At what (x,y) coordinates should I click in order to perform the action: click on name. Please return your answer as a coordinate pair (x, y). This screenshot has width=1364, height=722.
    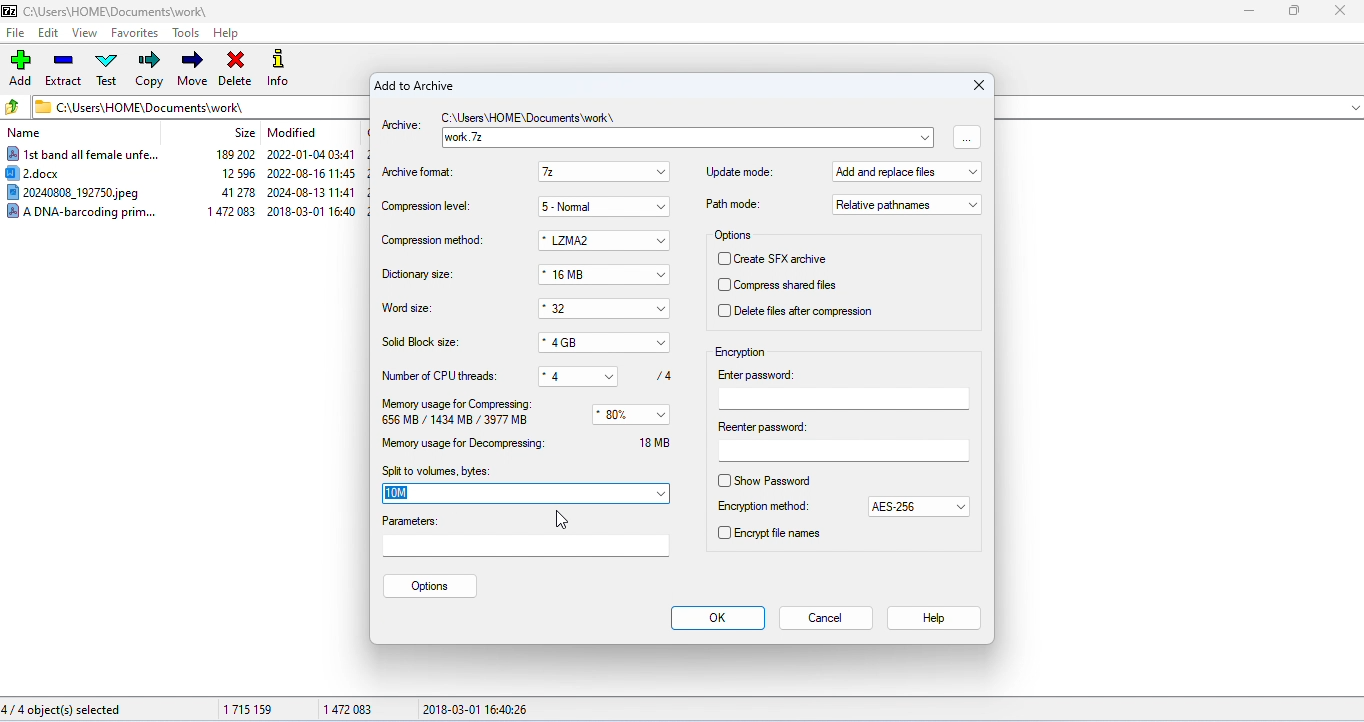
    Looking at the image, I should click on (26, 134).